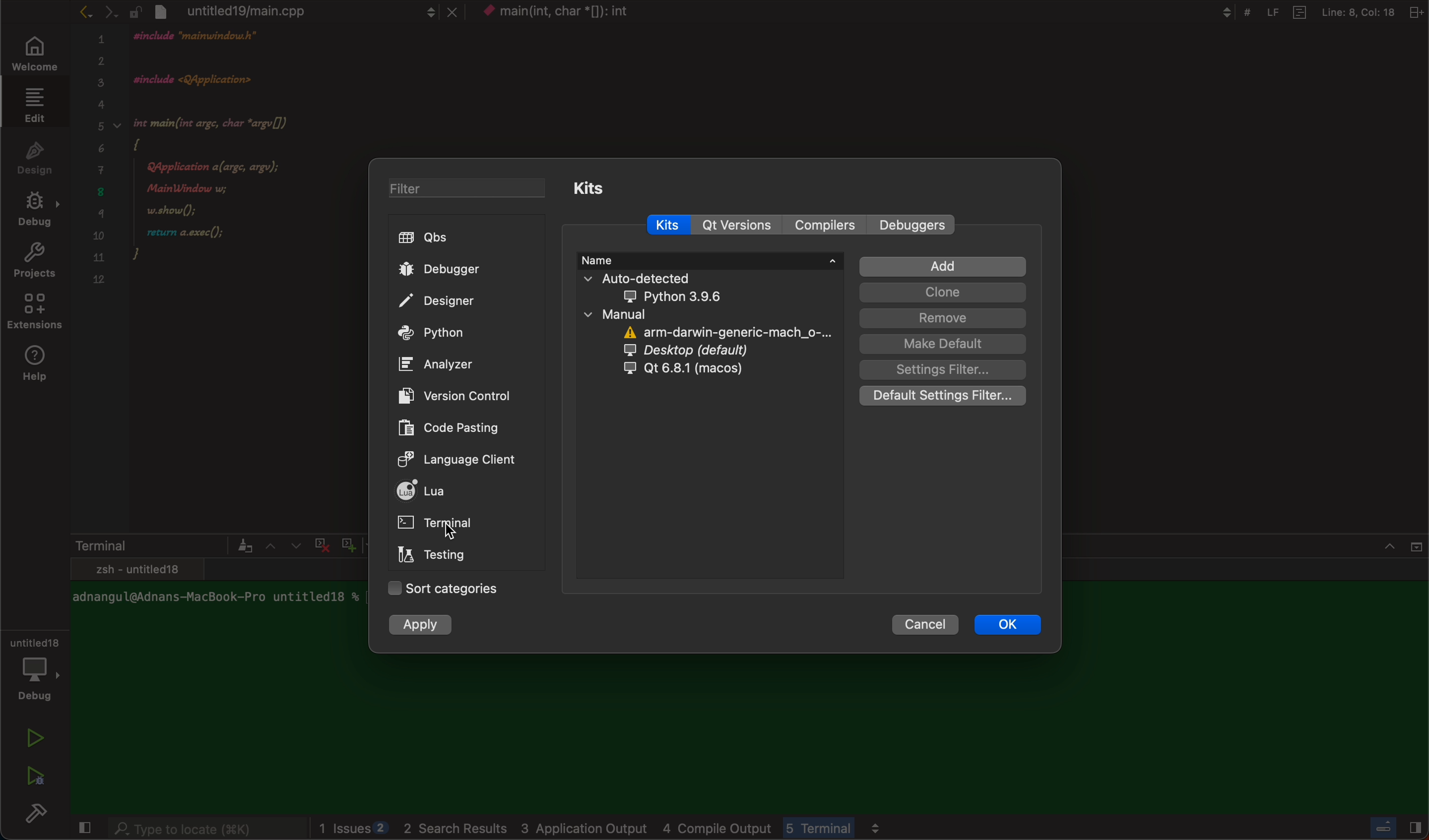 The width and height of the screenshot is (1429, 840). What do you see at coordinates (39, 364) in the screenshot?
I see `help` at bounding box center [39, 364].